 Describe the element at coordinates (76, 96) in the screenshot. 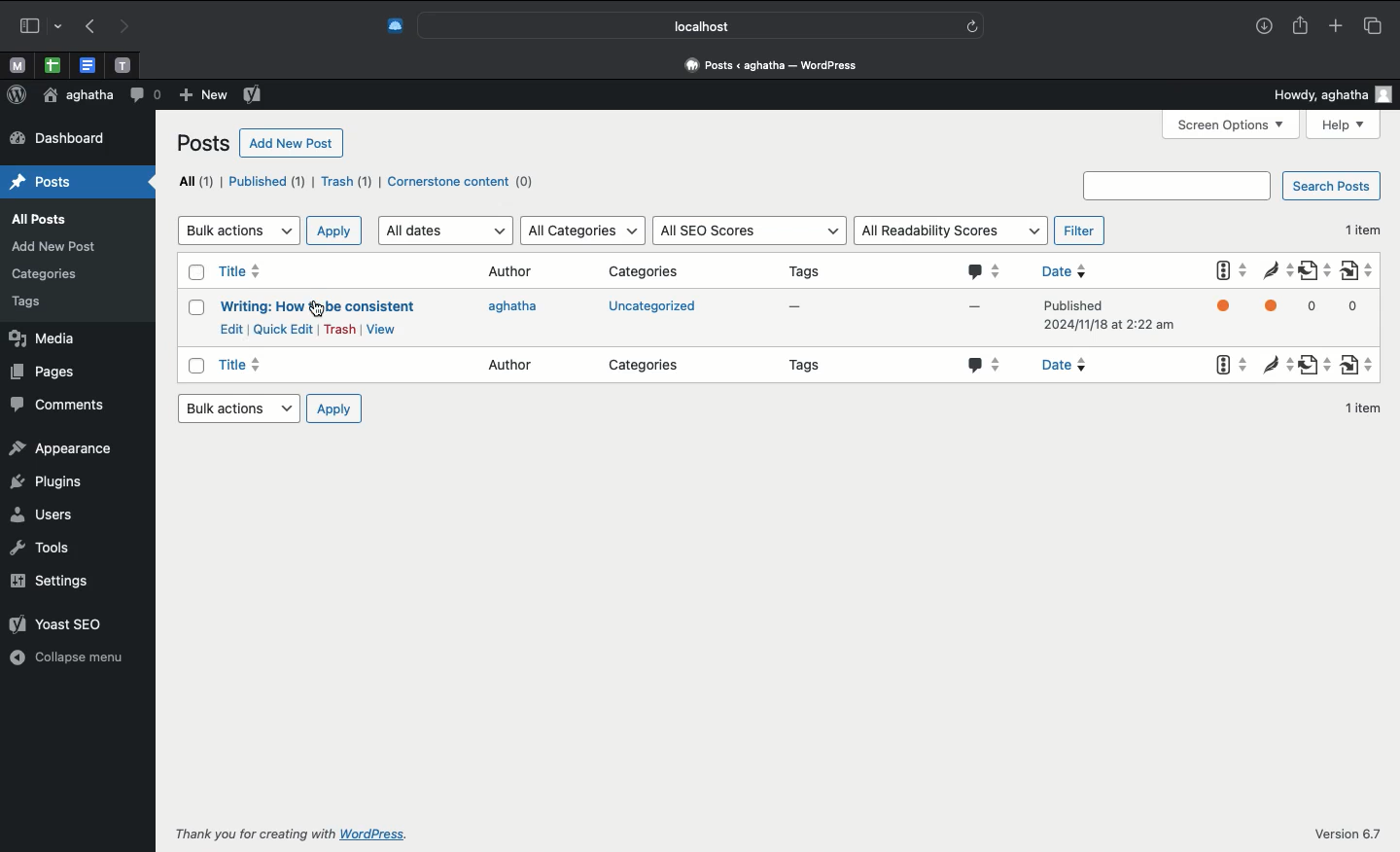

I see `User` at that location.